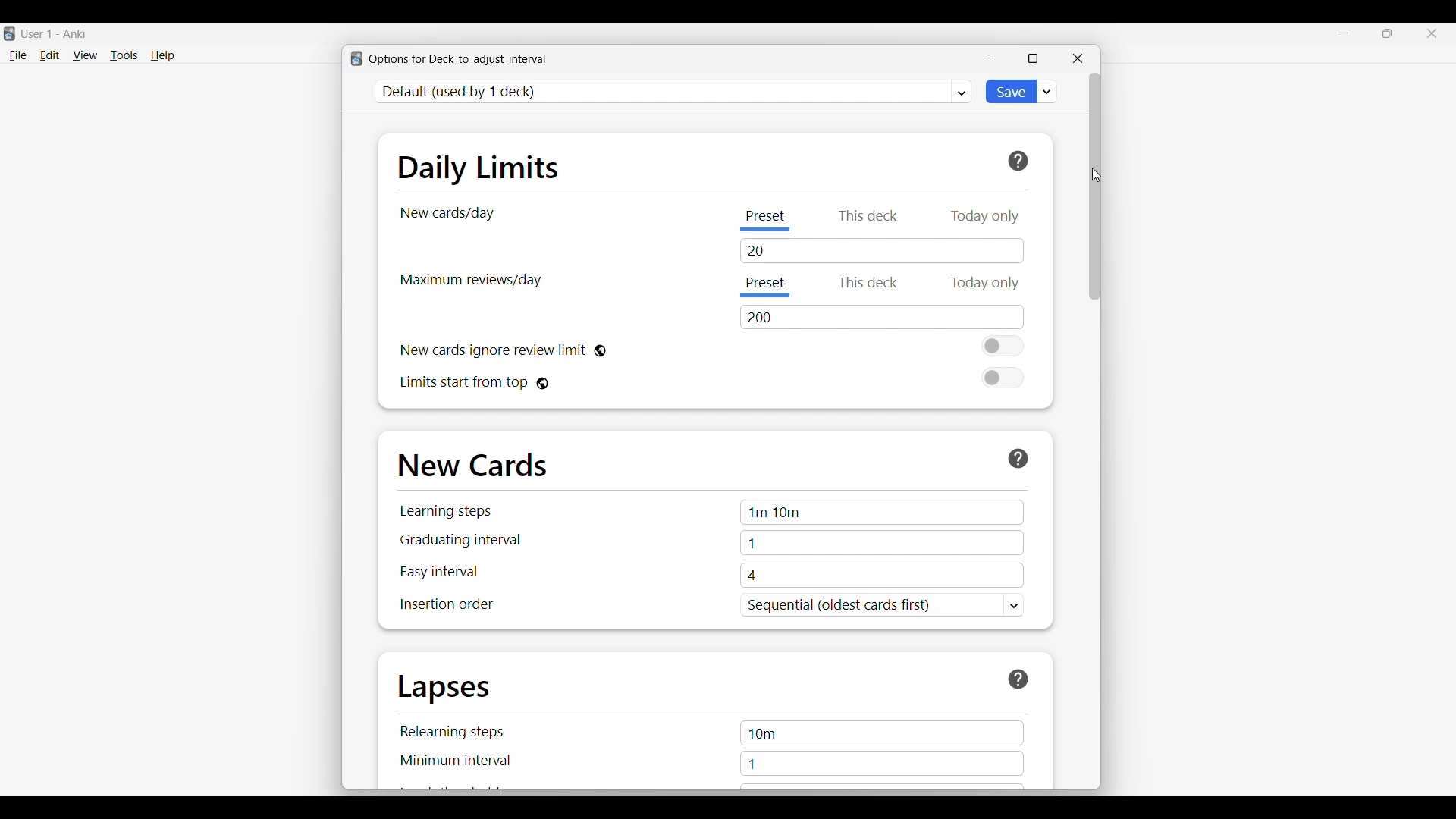  Describe the element at coordinates (600, 351) in the screenshot. I see `Affects the entire collection` at that location.